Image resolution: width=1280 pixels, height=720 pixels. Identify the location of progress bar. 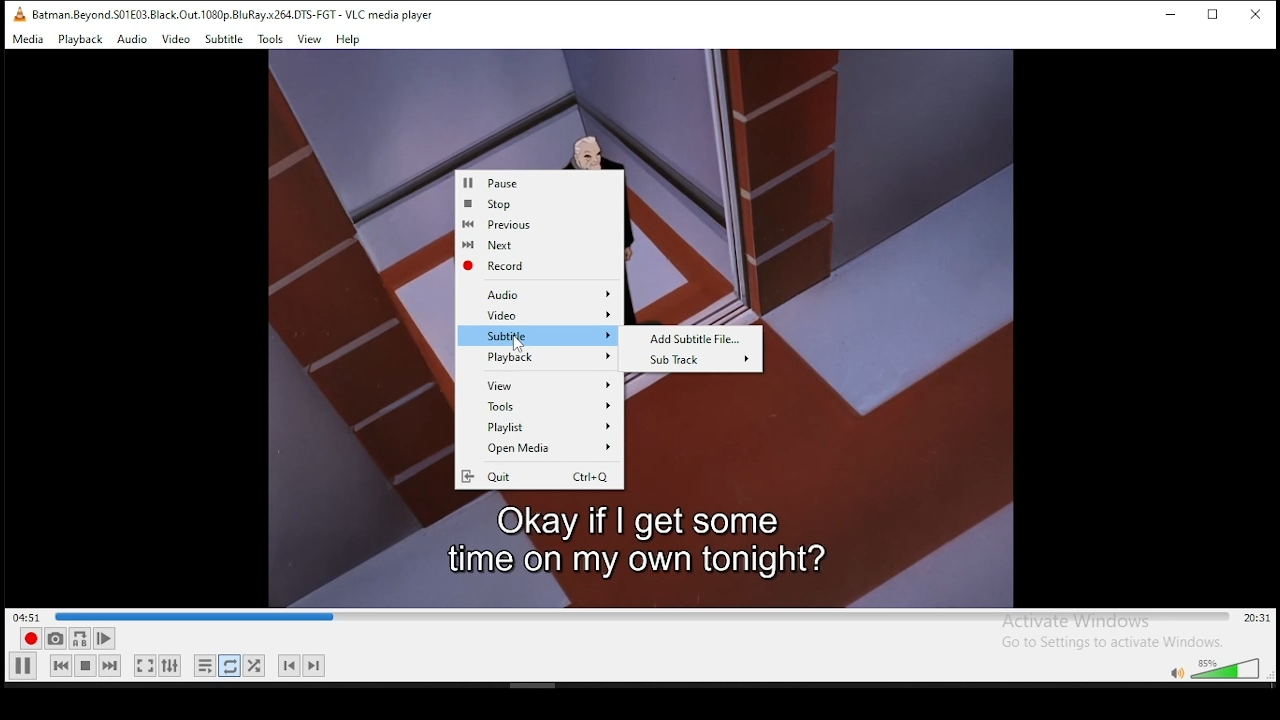
(643, 616).